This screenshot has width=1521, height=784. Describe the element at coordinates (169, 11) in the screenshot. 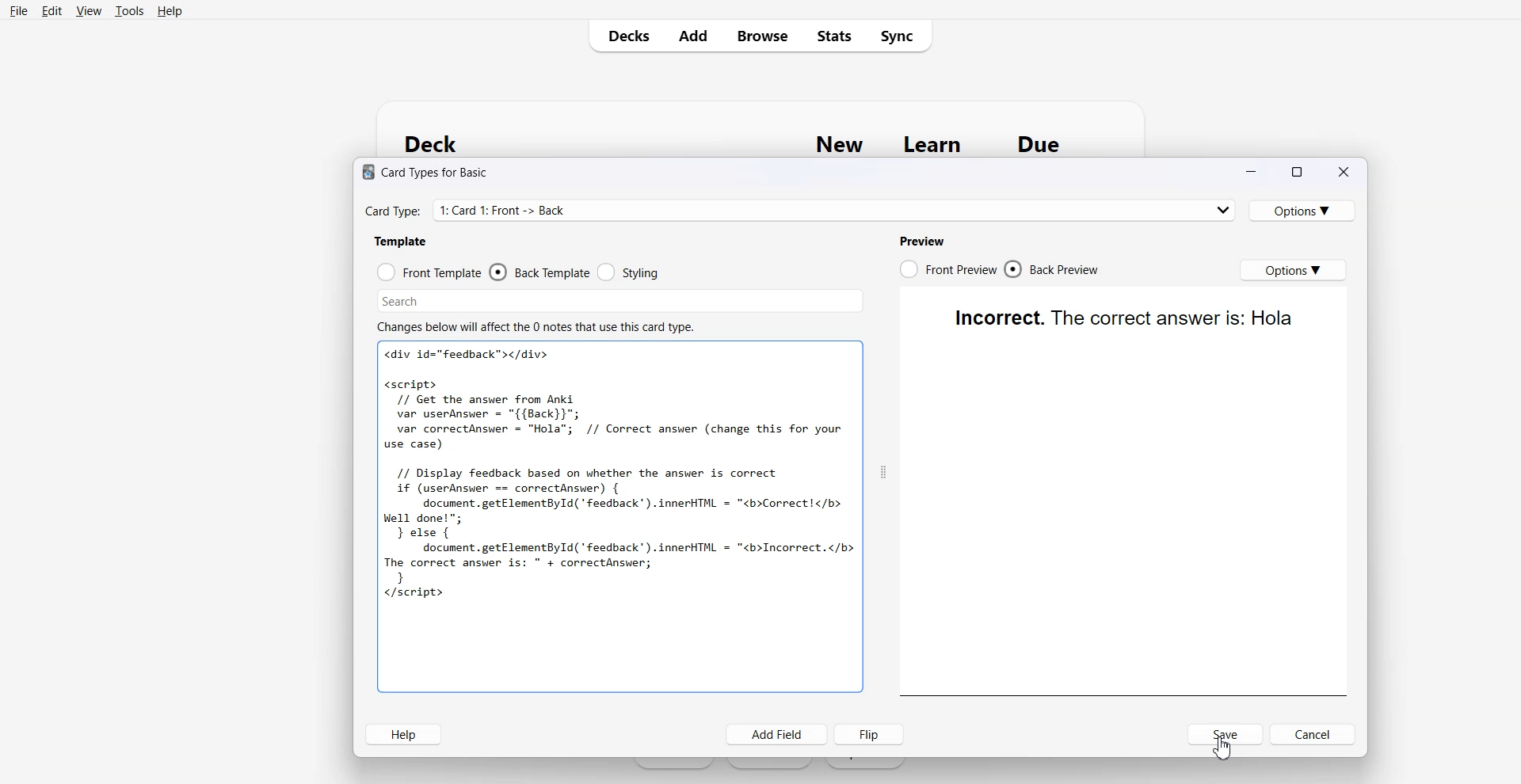

I see `Help` at that location.